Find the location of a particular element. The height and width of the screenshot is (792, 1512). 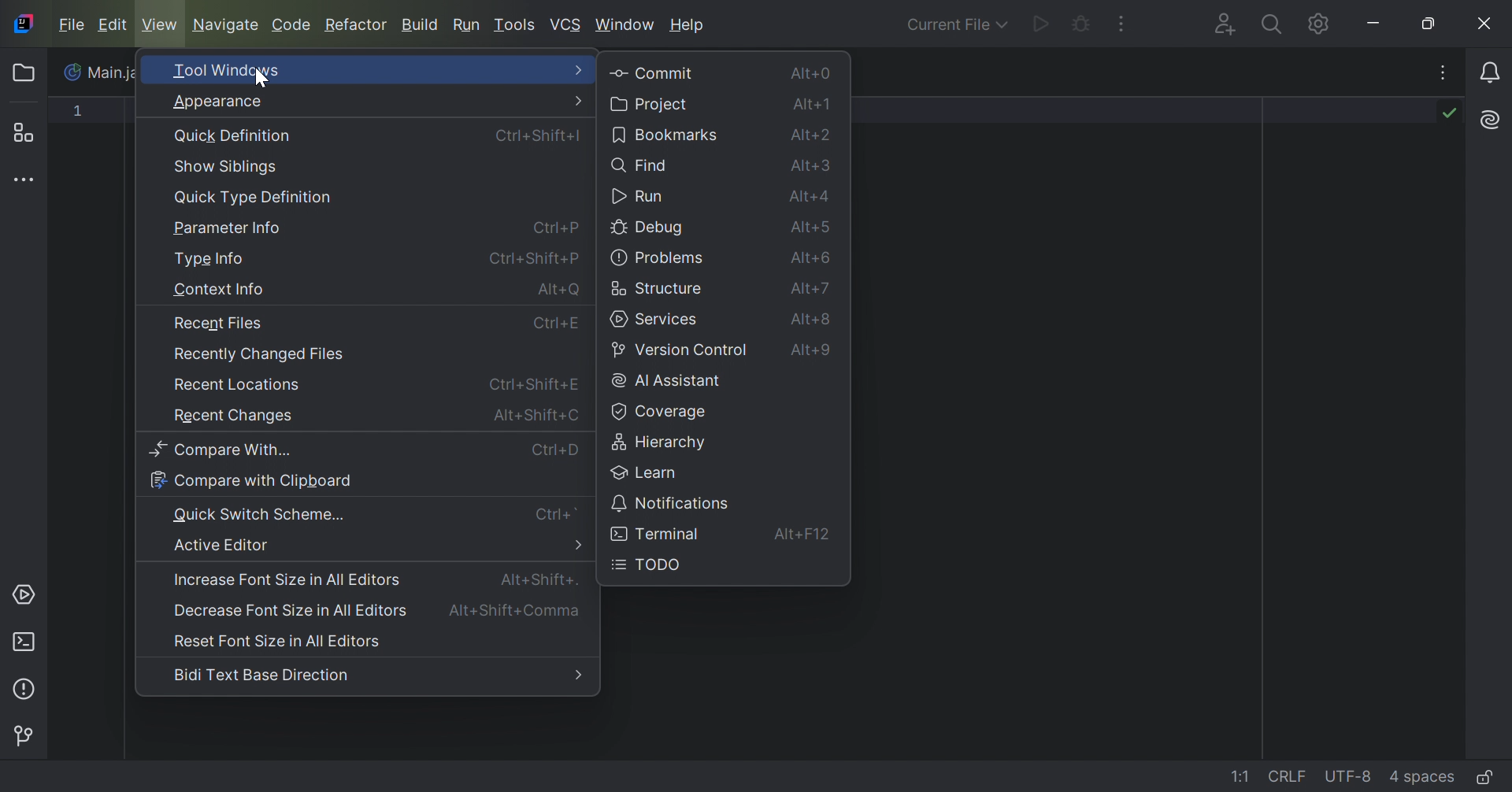

Edit is located at coordinates (112, 25).